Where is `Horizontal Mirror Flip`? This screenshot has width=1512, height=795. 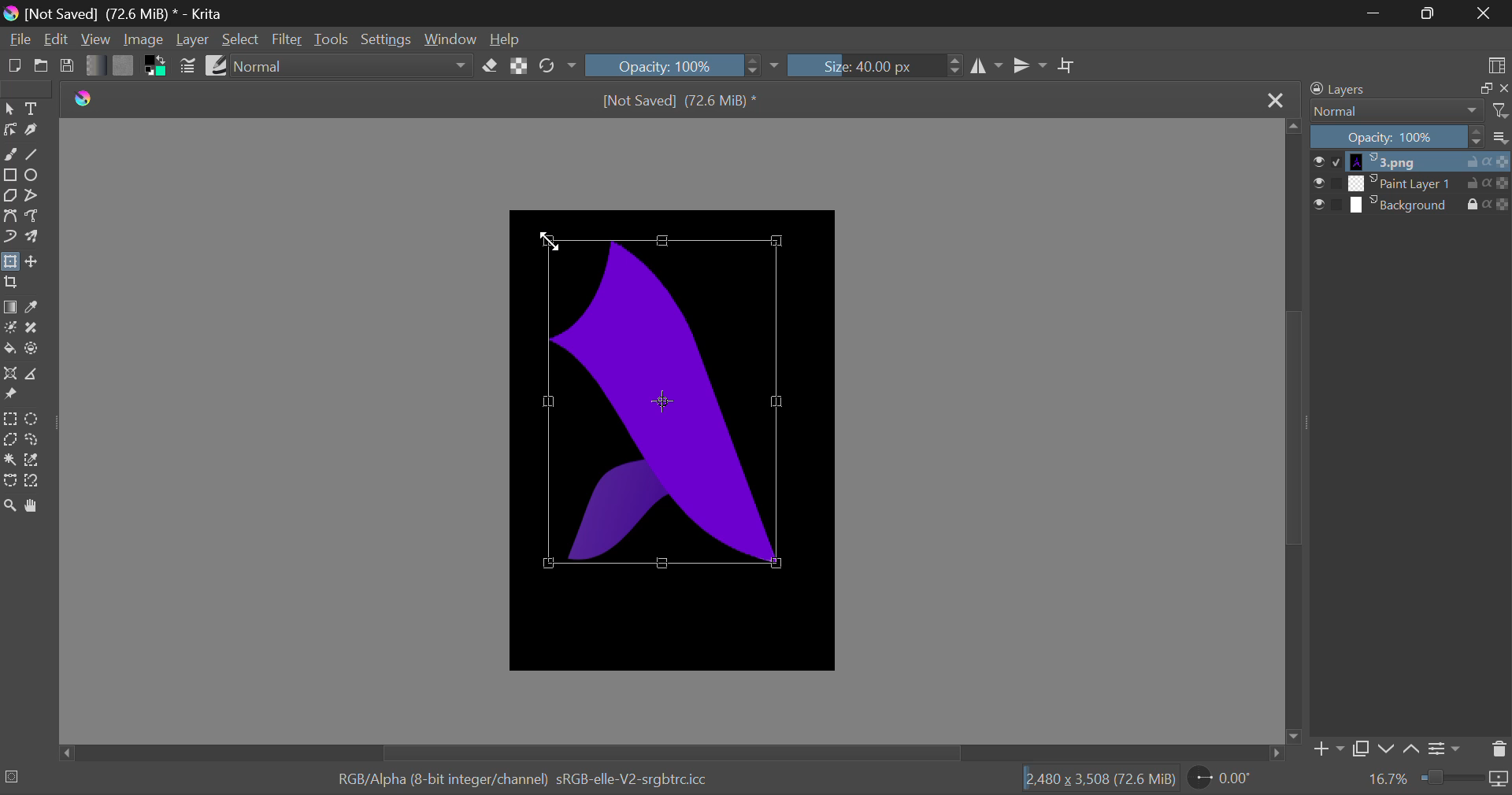 Horizontal Mirror Flip is located at coordinates (1031, 65).